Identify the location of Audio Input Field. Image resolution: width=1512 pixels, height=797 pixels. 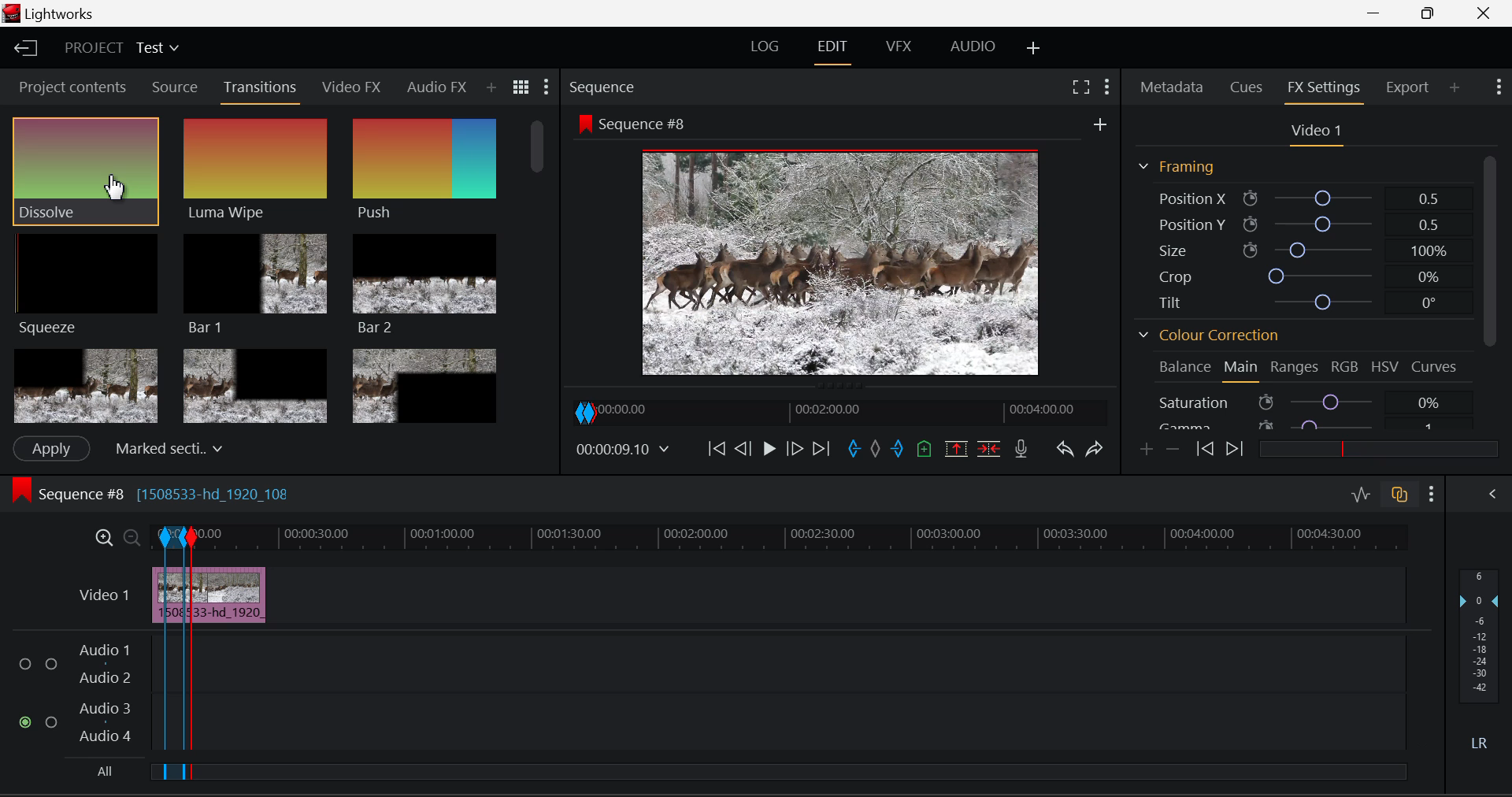
(798, 662).